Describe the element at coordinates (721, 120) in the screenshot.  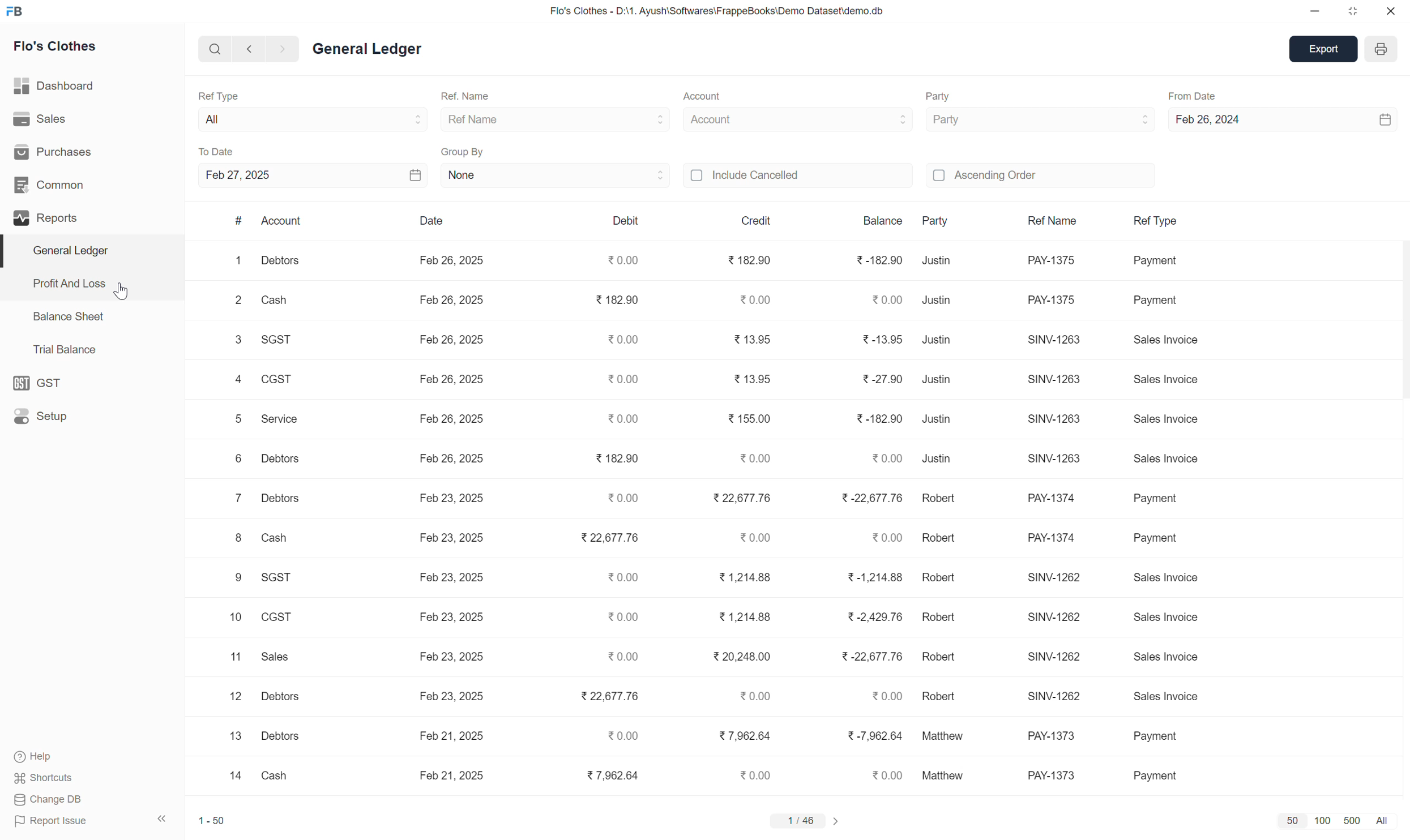
I see `Account` at that location.